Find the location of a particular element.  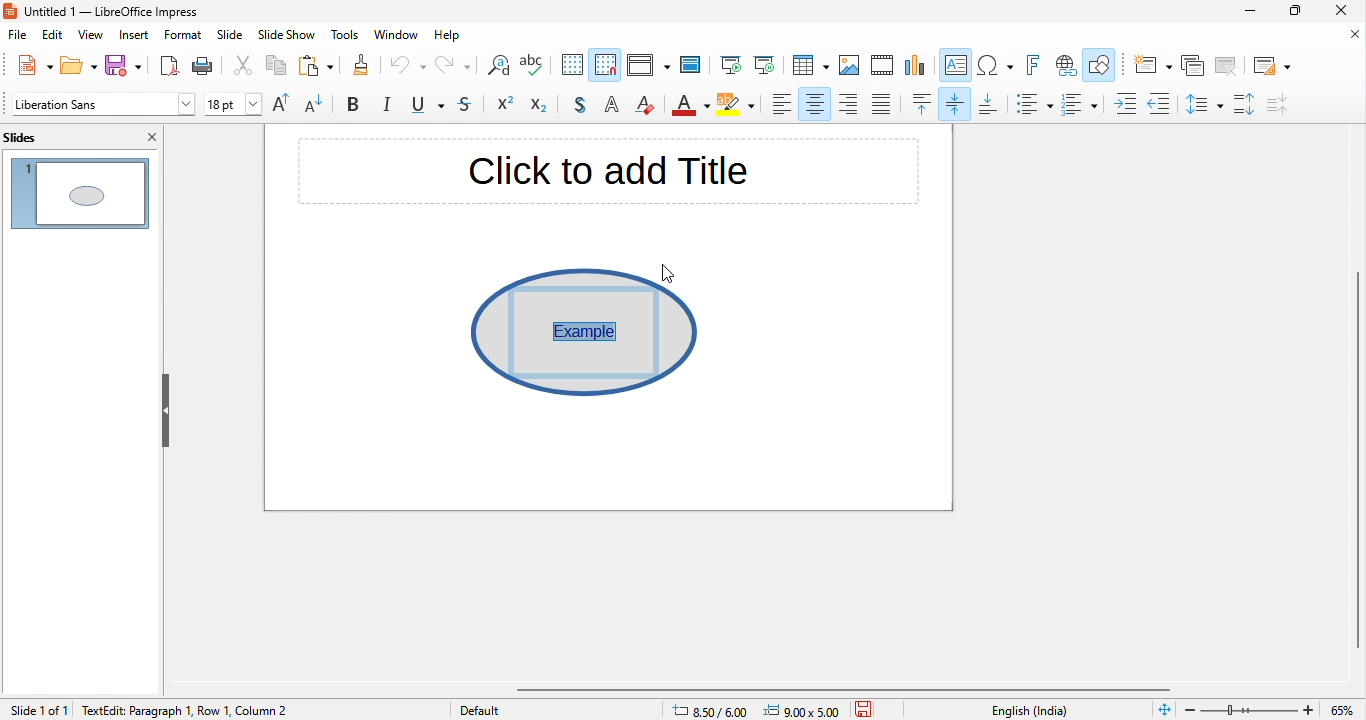

align right is located at coordinates (849, 103).